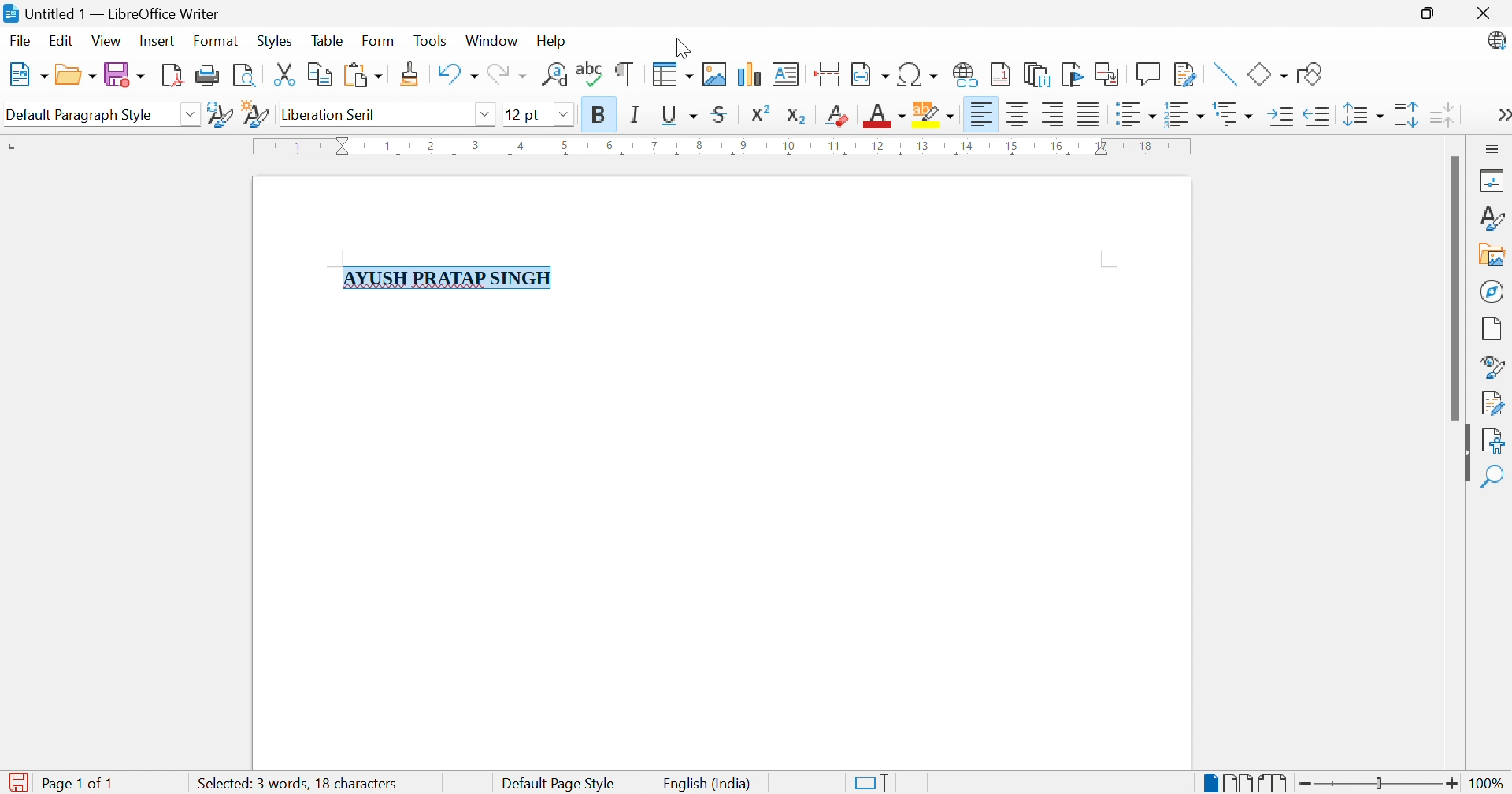 The height and width of the screenshot is (794, 1512). Describe the element at coordinates (1185, 113) in the screenshot. I see `Toggle Ordered List` at that location.